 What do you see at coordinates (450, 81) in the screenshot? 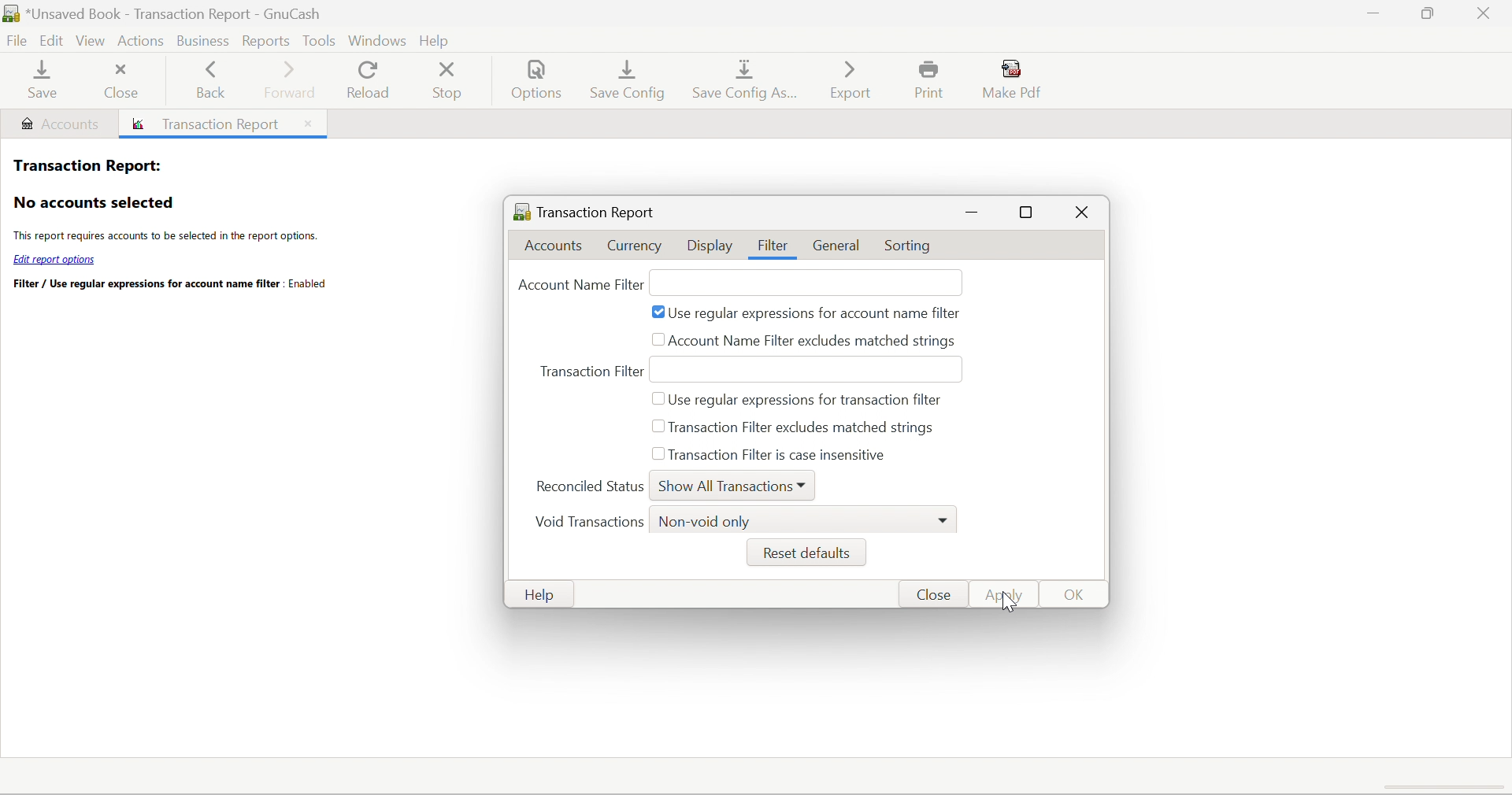
I see `Stop` at bounding box center [450, 81].